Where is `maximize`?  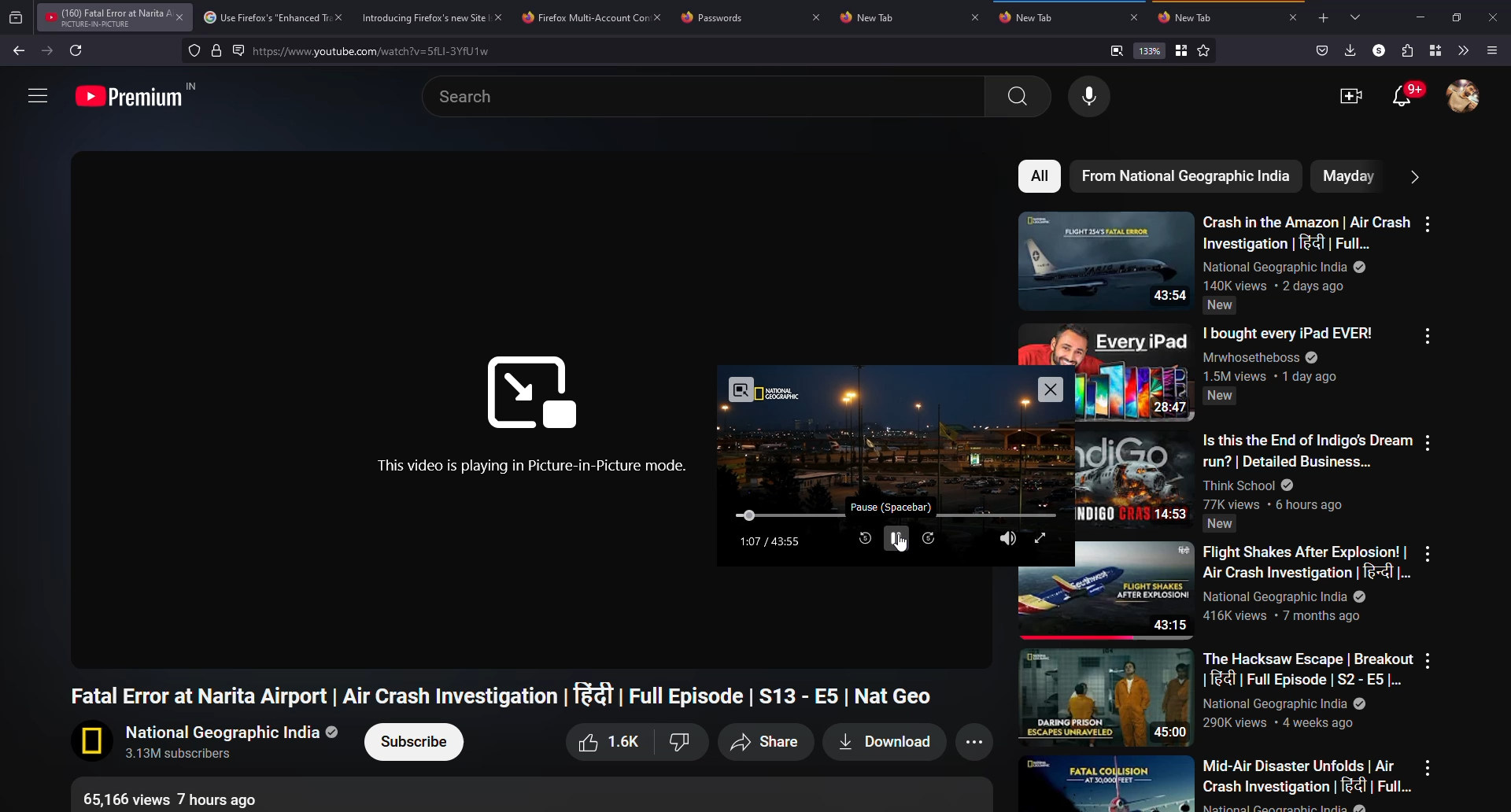 maximize is located at coordinates (1459, 18).